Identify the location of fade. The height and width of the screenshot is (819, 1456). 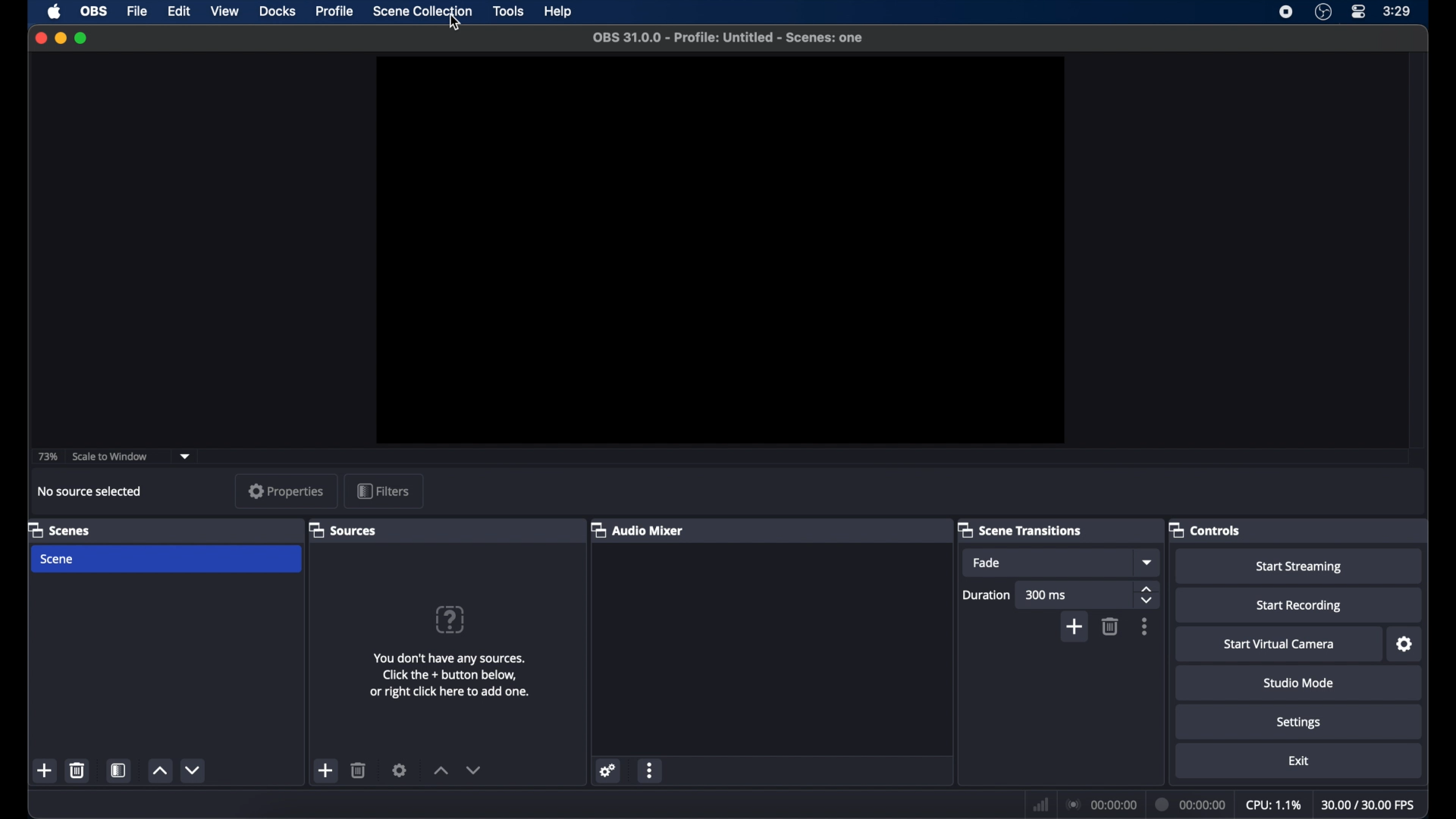
(987, 563).